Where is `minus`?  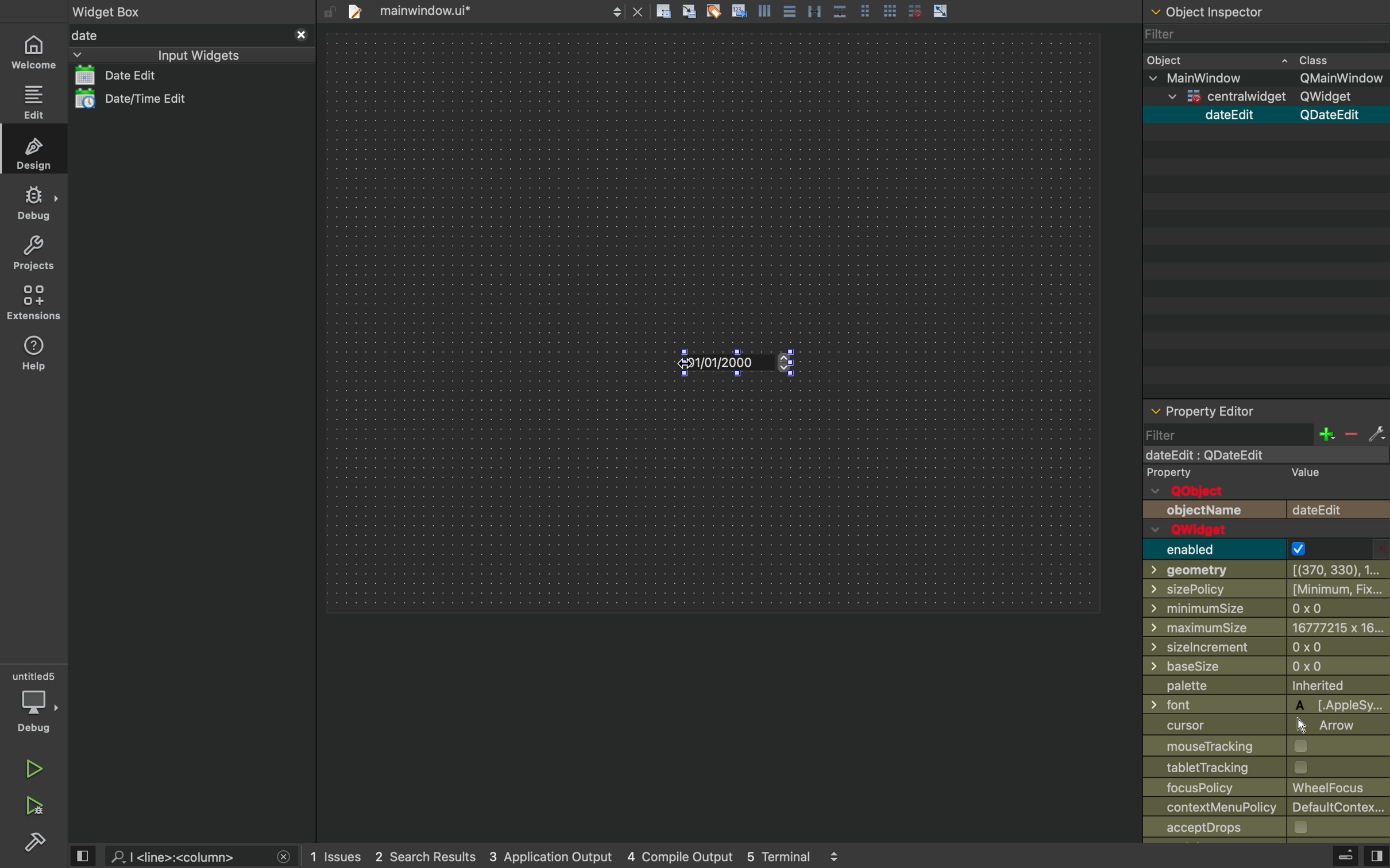 minus is located at coordinates (1351, 433).